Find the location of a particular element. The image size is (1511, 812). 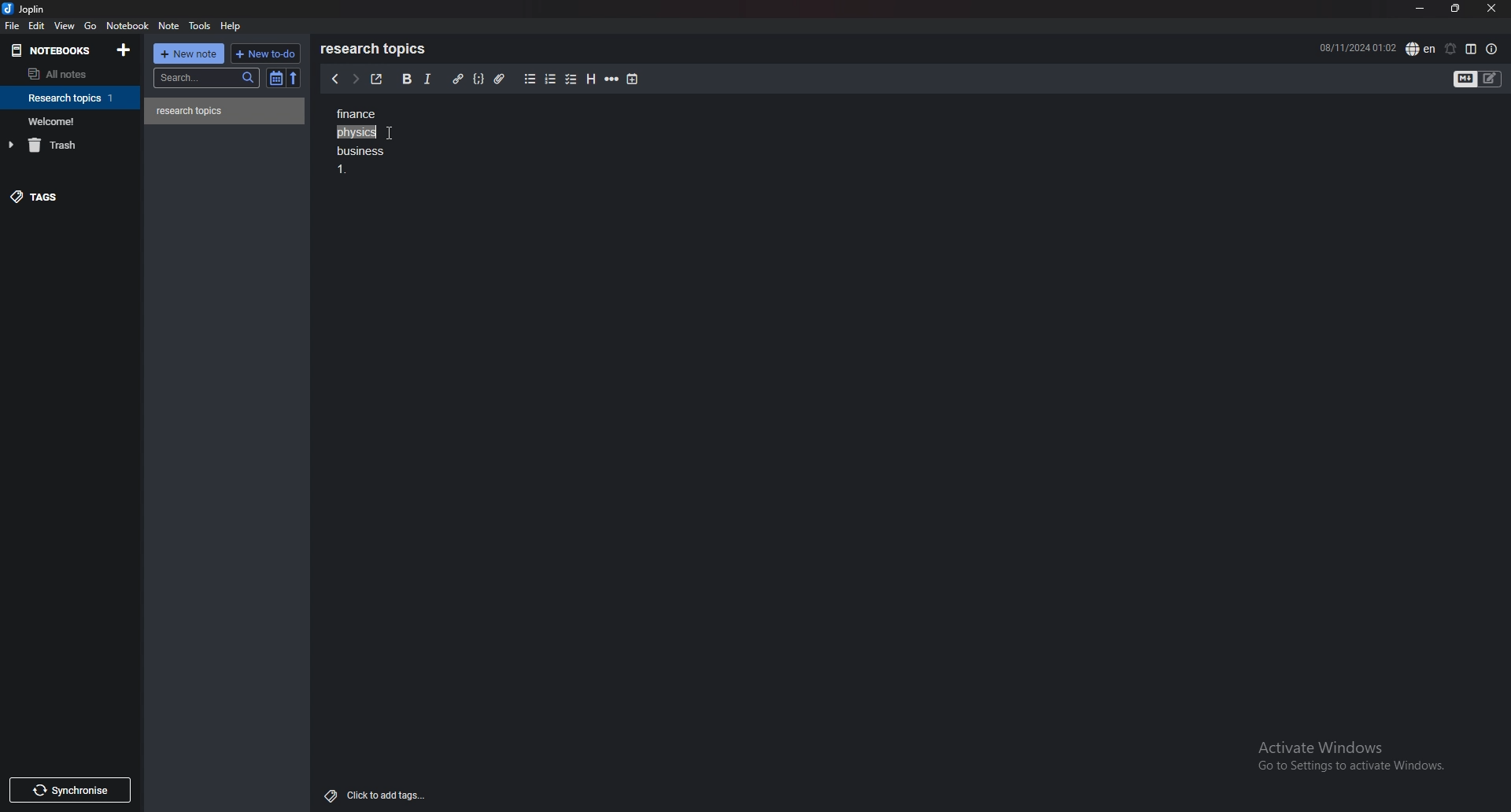

hyperlink is located at coordinates (457, 79).